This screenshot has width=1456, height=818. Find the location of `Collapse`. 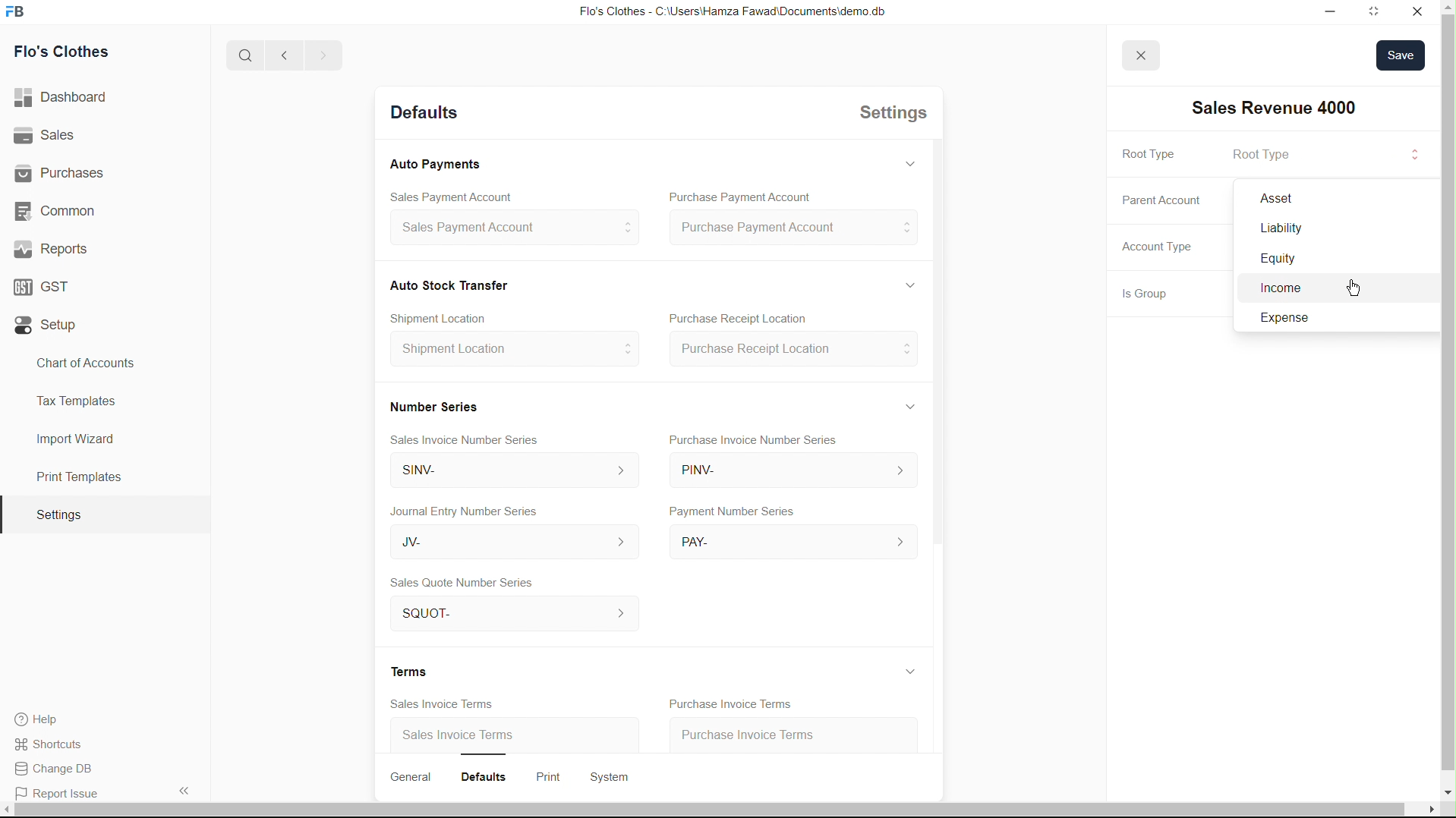

Collapse is located at coordinates (183, 790).